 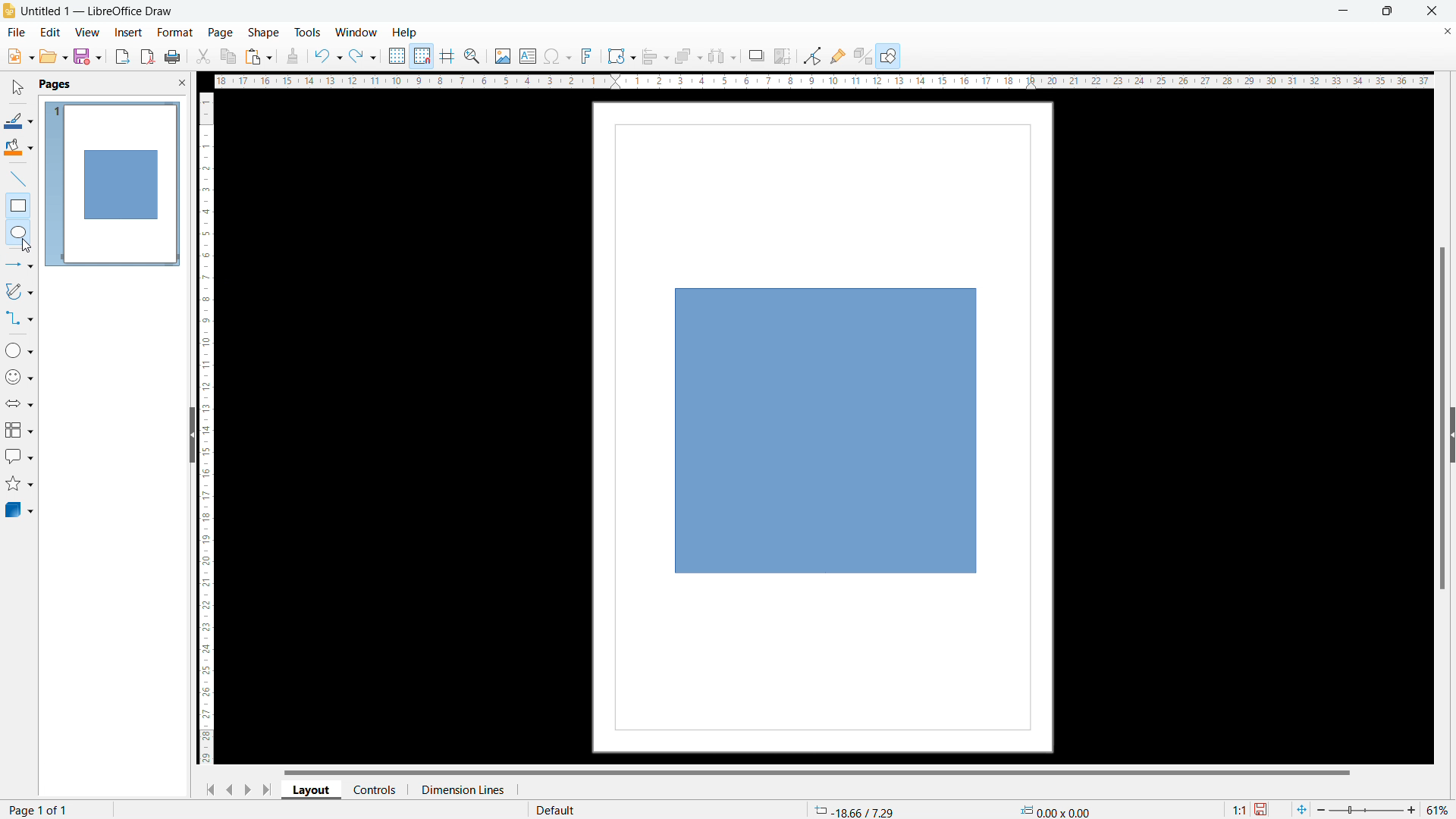 I want to click on window, so click(x=357, y=33).